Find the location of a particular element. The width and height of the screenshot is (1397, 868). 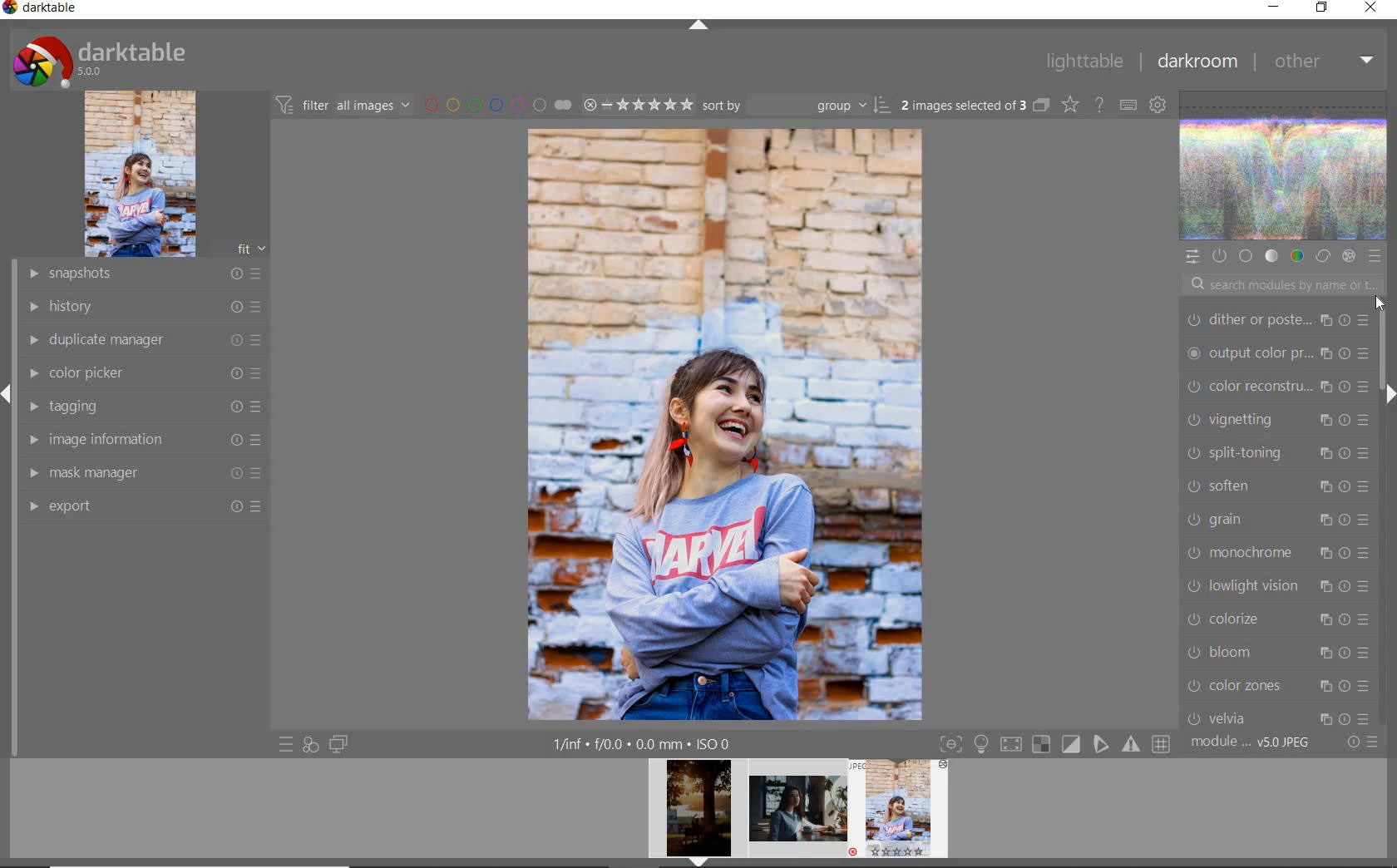

COLLAPSE GROUPED  IMAGES is located at coordinates (1041, 104).